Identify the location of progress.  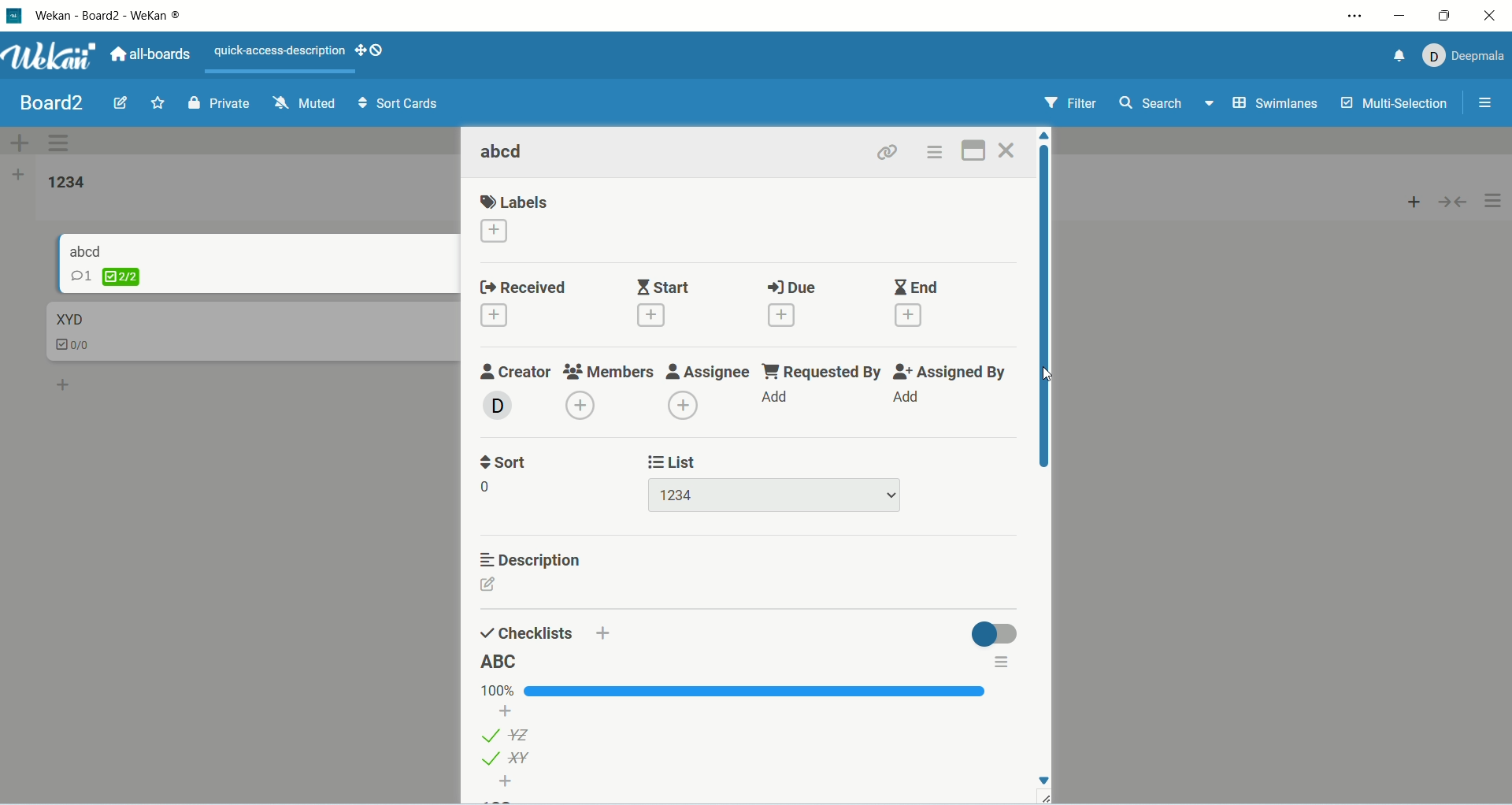
(734, 690).